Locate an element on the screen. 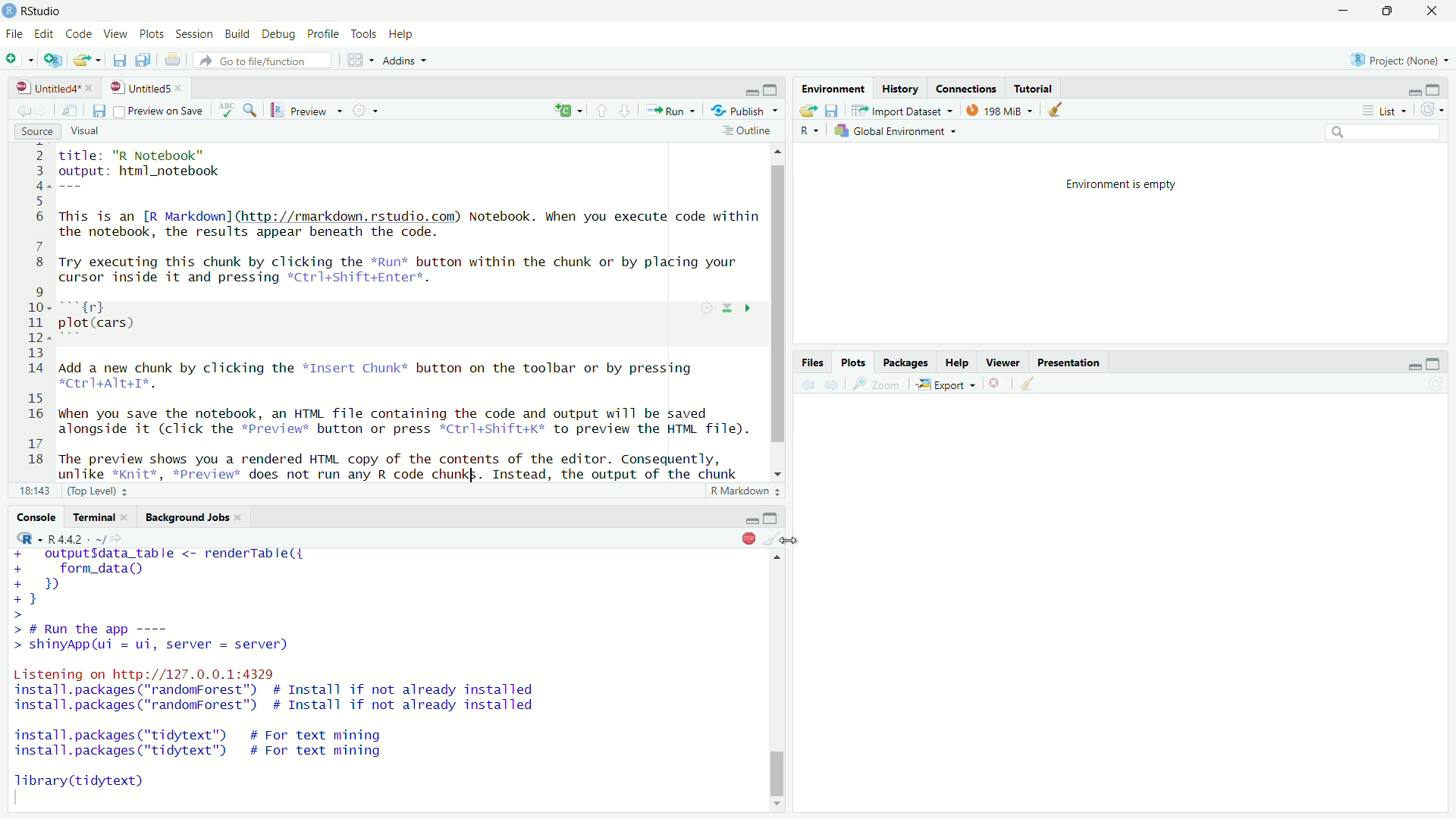 The height and width of the screenshot is (819, 1456). vertical scrollbar is located at coordinates (777, 773).